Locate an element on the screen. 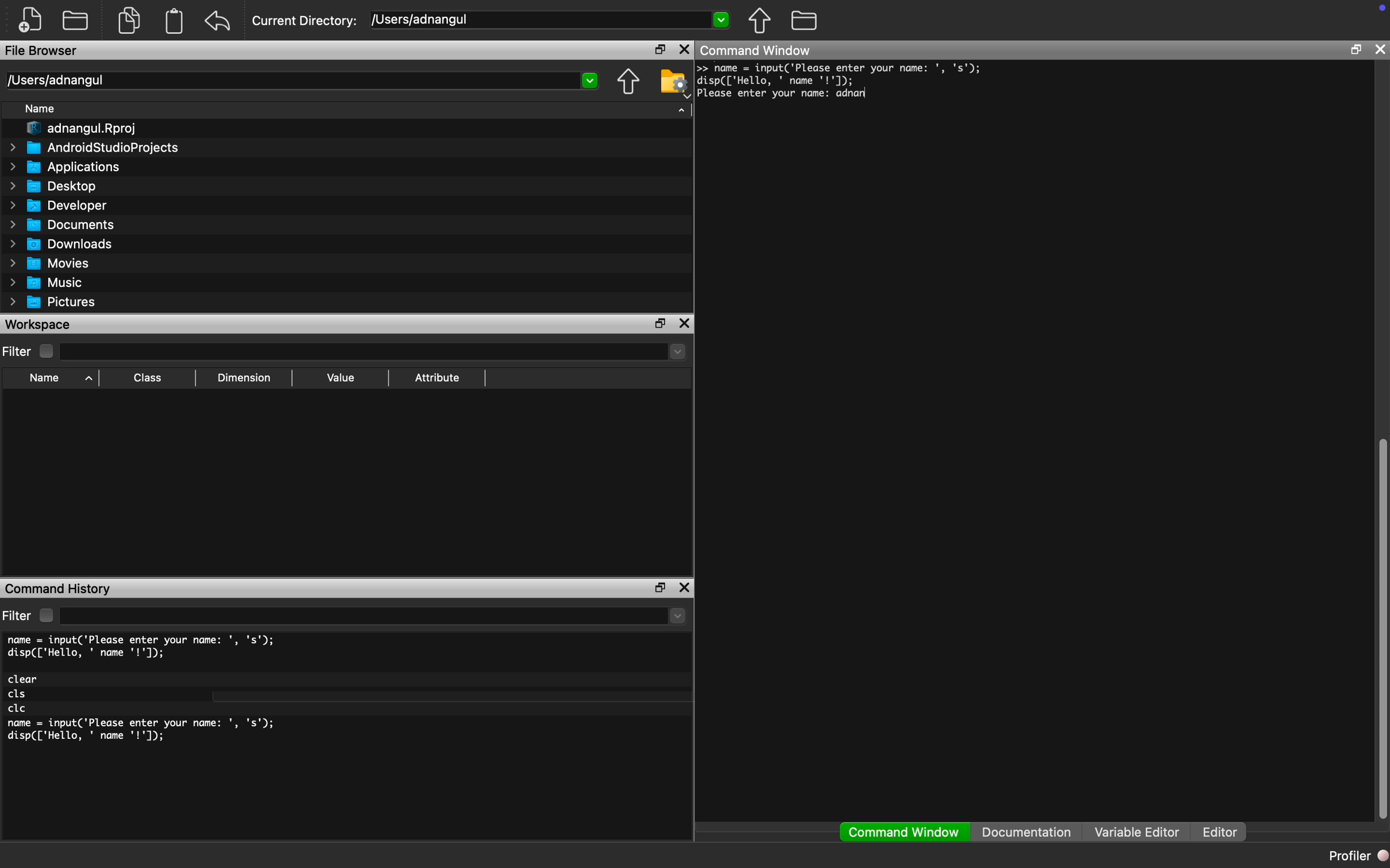 Image resolution: width=1390 pixels, height=868 pixels. Documents is located at coordinates (65, 224).